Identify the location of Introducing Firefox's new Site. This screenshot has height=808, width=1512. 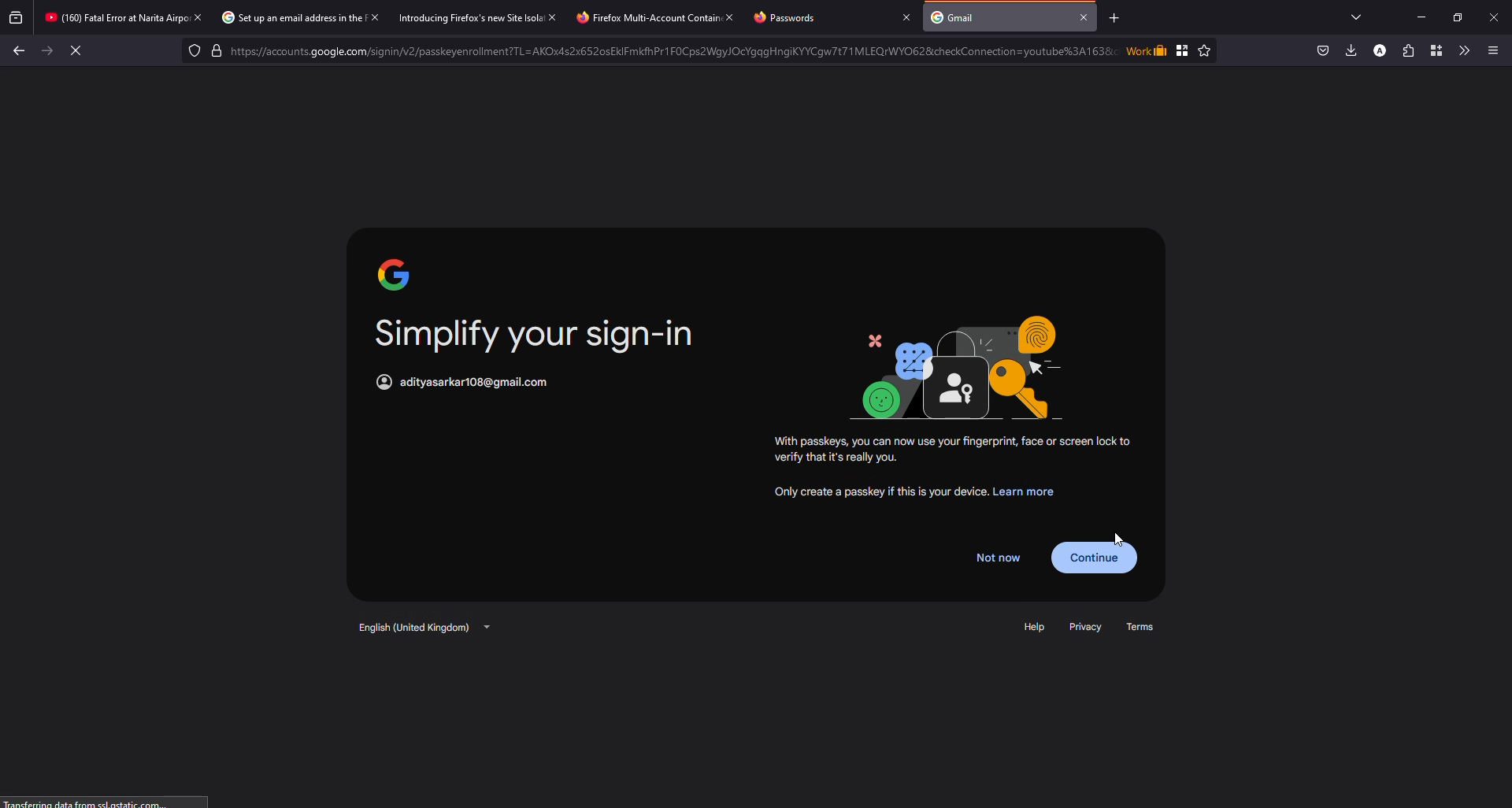
(460, 20).